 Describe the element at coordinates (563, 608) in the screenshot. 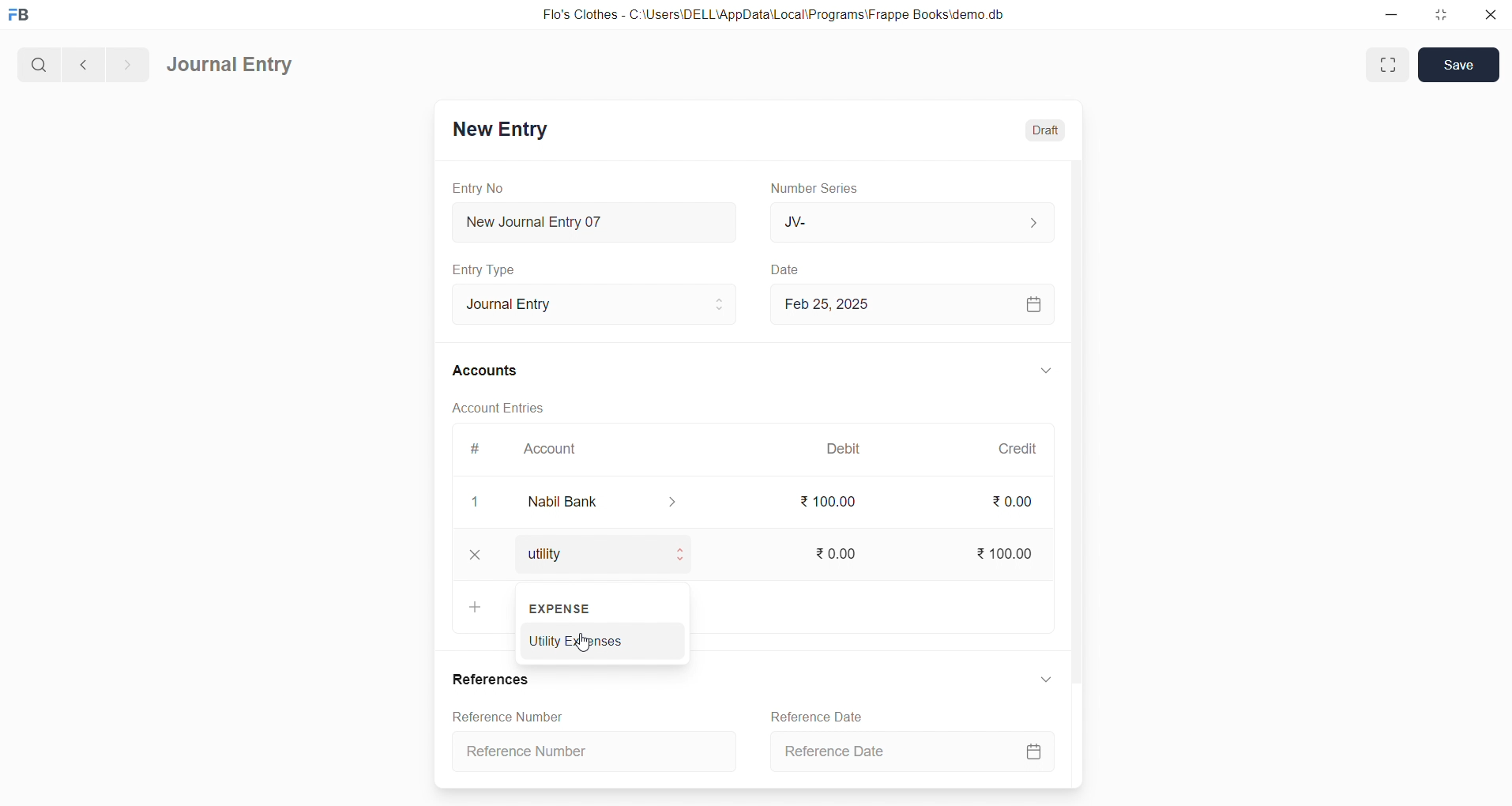

I see `EXPENSE` at that location.